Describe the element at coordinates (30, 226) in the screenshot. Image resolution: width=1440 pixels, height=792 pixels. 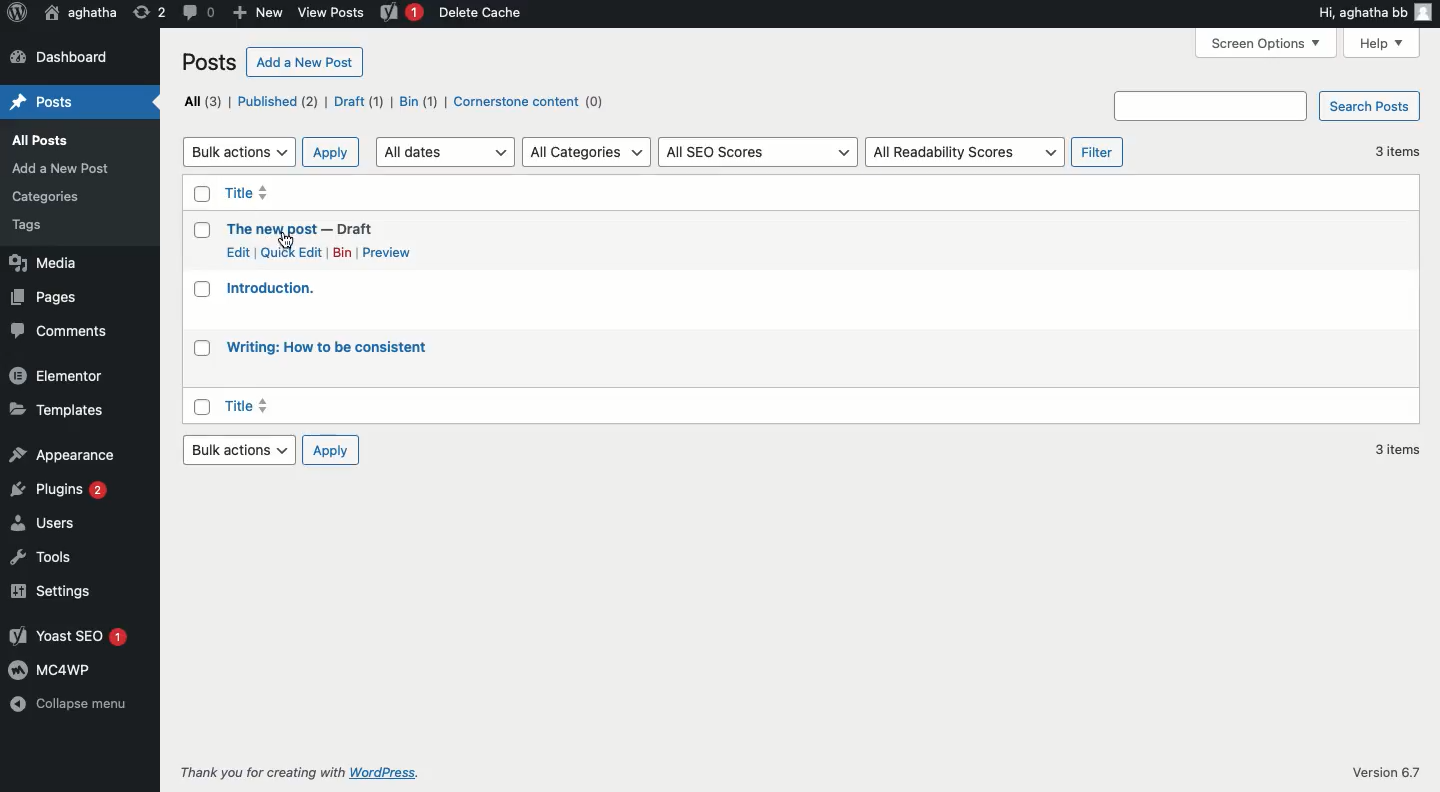
I see `Tags` at that location.